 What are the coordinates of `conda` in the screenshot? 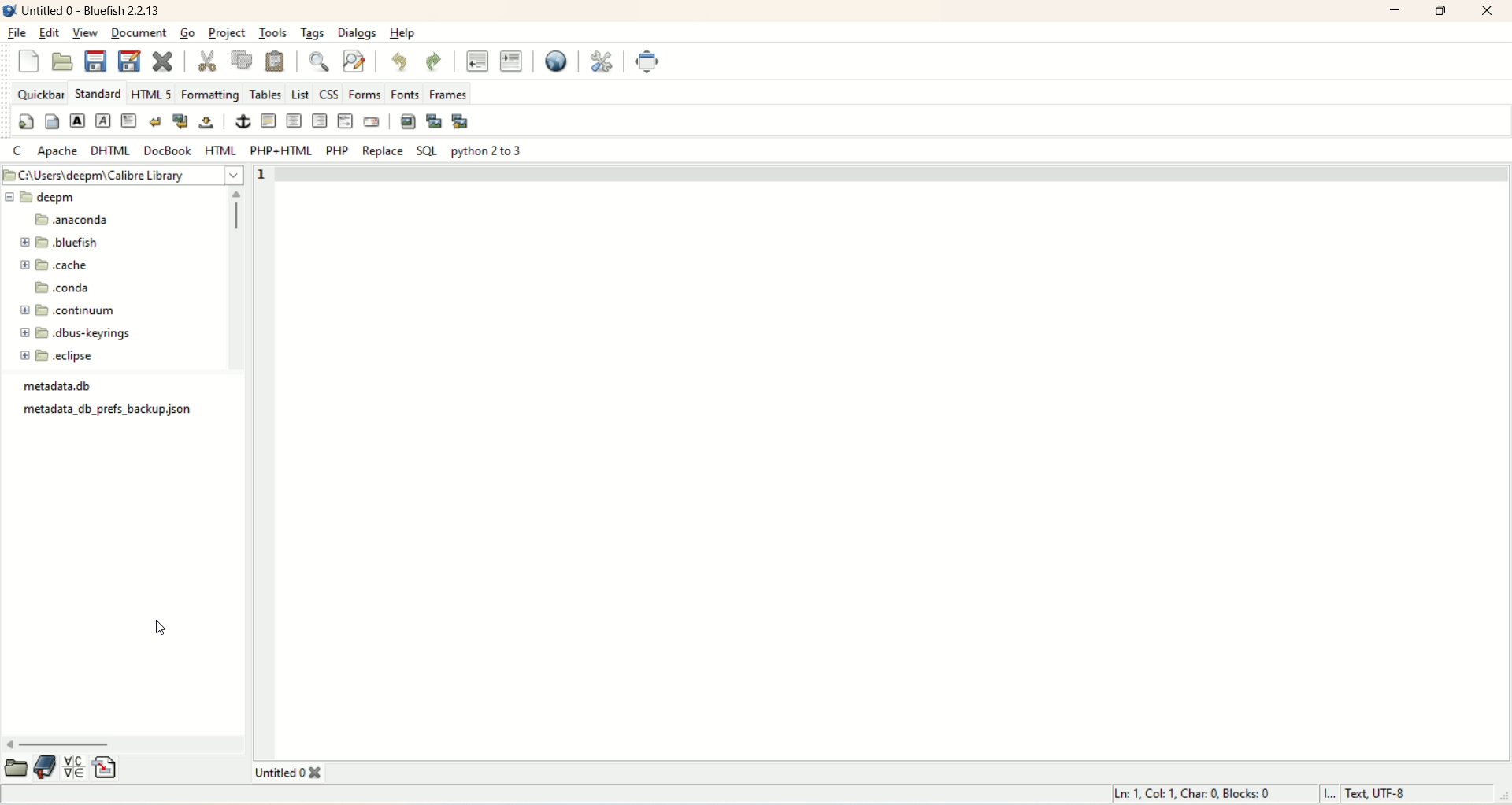 It's located at (73, 290).